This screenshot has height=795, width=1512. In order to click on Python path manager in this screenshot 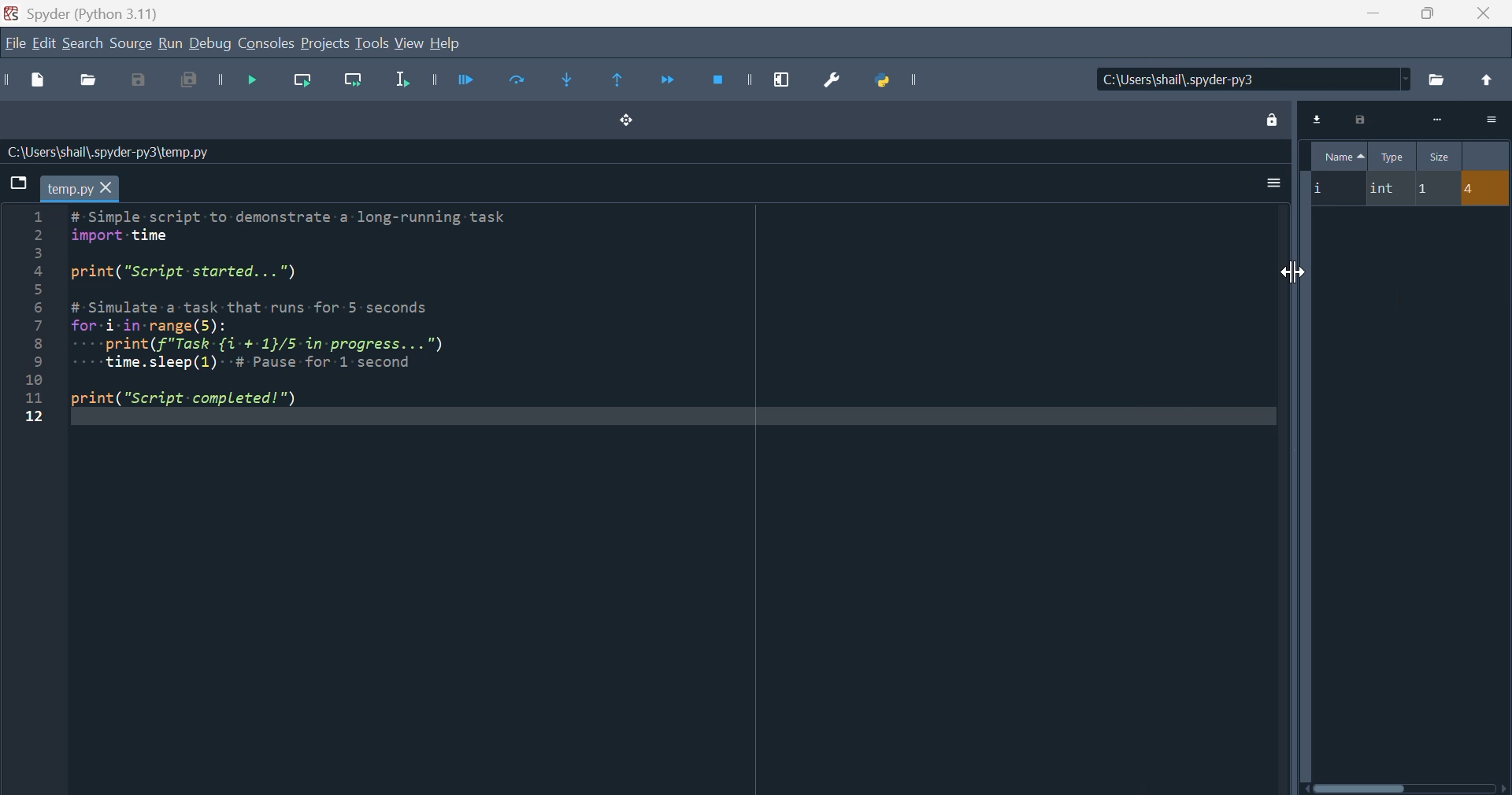, I will do `click(898, 79)`.